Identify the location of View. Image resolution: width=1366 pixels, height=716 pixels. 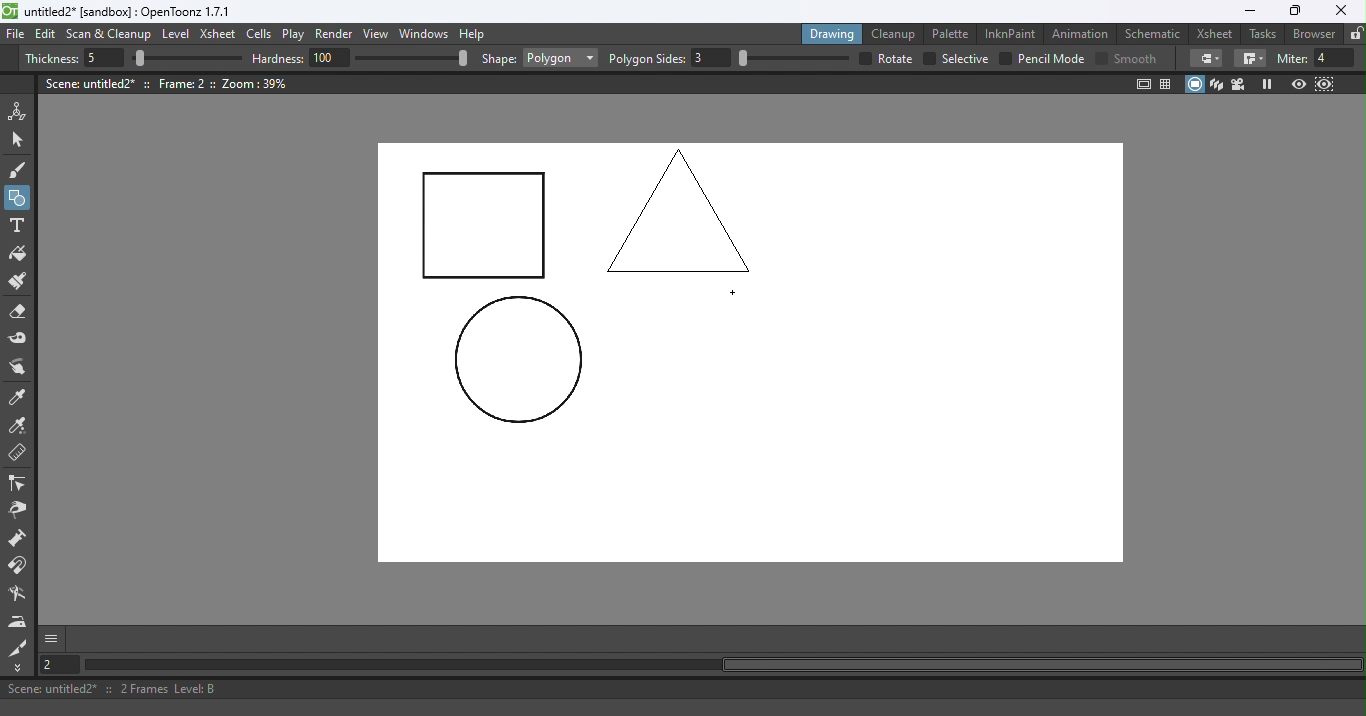
(379, 36).